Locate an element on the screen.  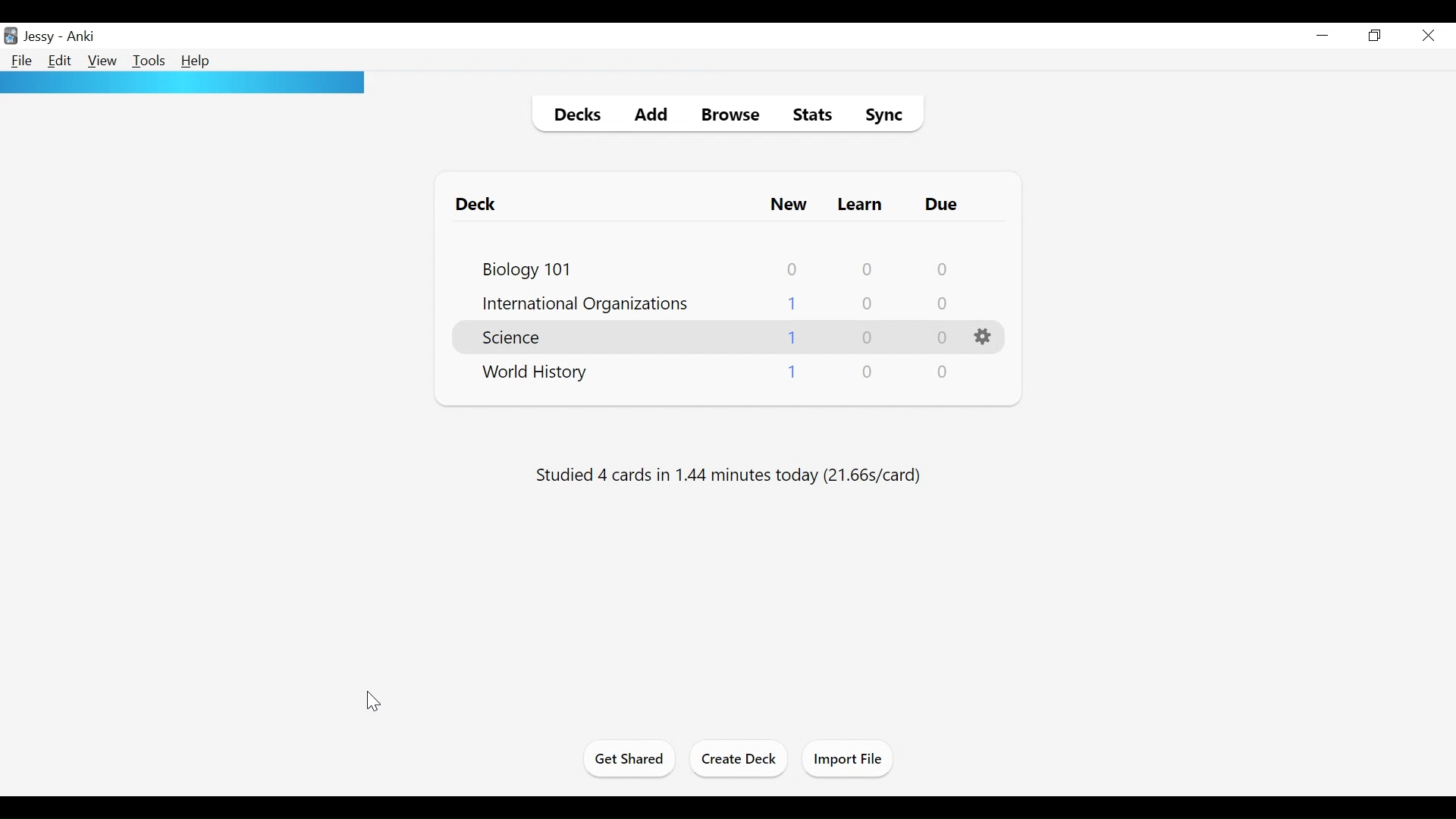
Create Deck is located at coordinates (744, 761).